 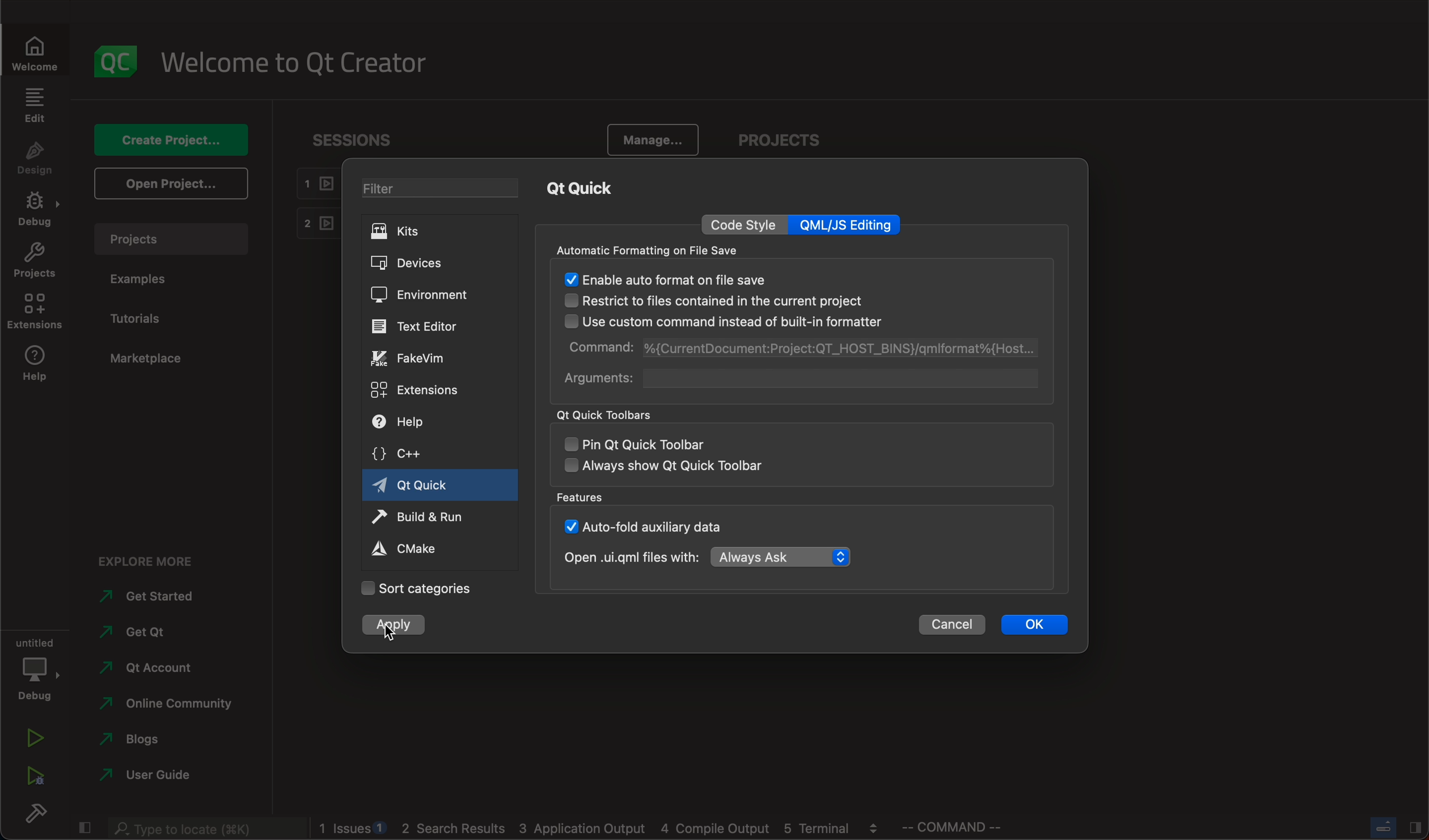 I want to click on devices, so click(x=433, y=264).